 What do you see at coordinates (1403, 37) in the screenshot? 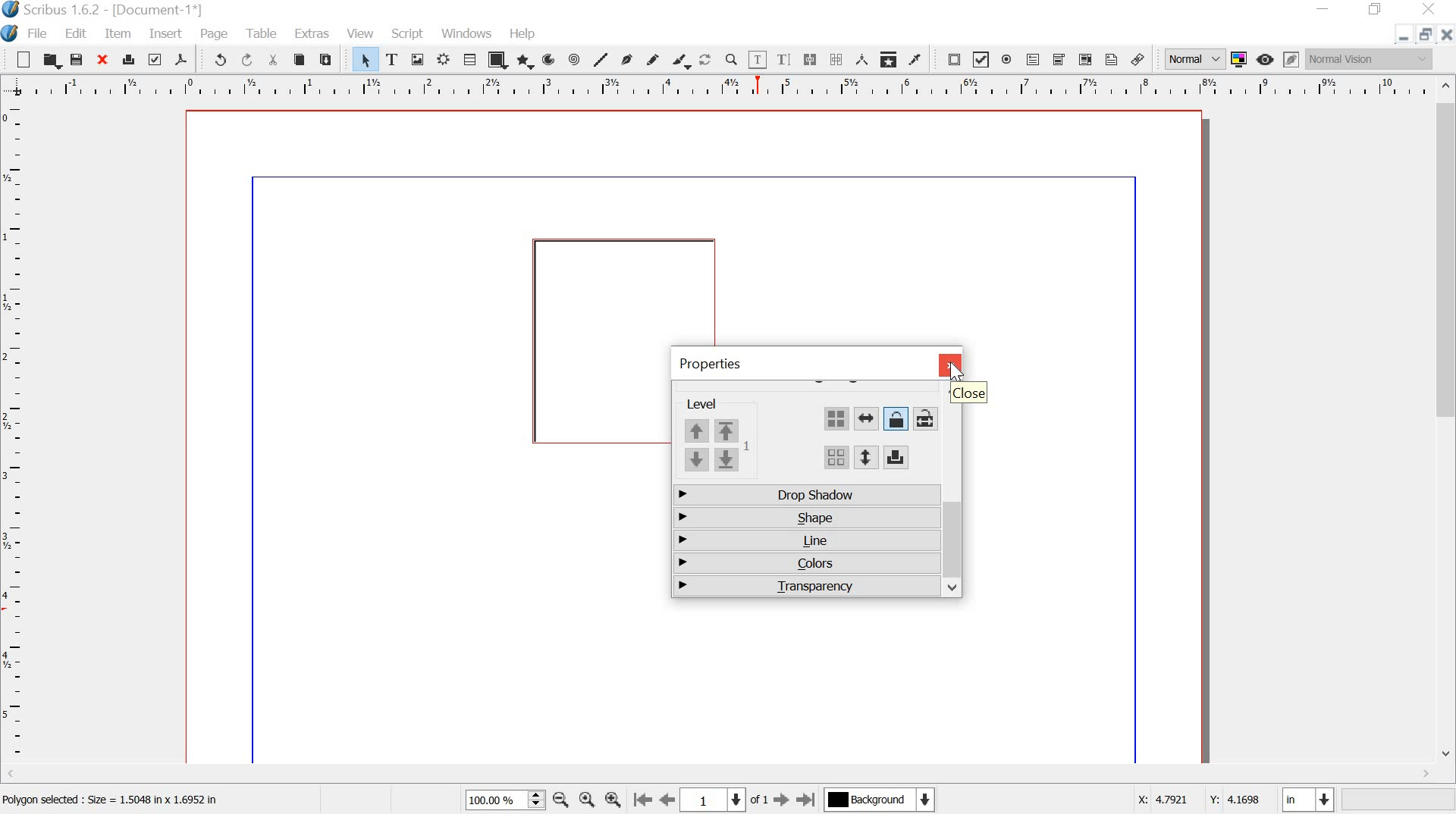
I see `minimize` at bounding box center [1403, 37].